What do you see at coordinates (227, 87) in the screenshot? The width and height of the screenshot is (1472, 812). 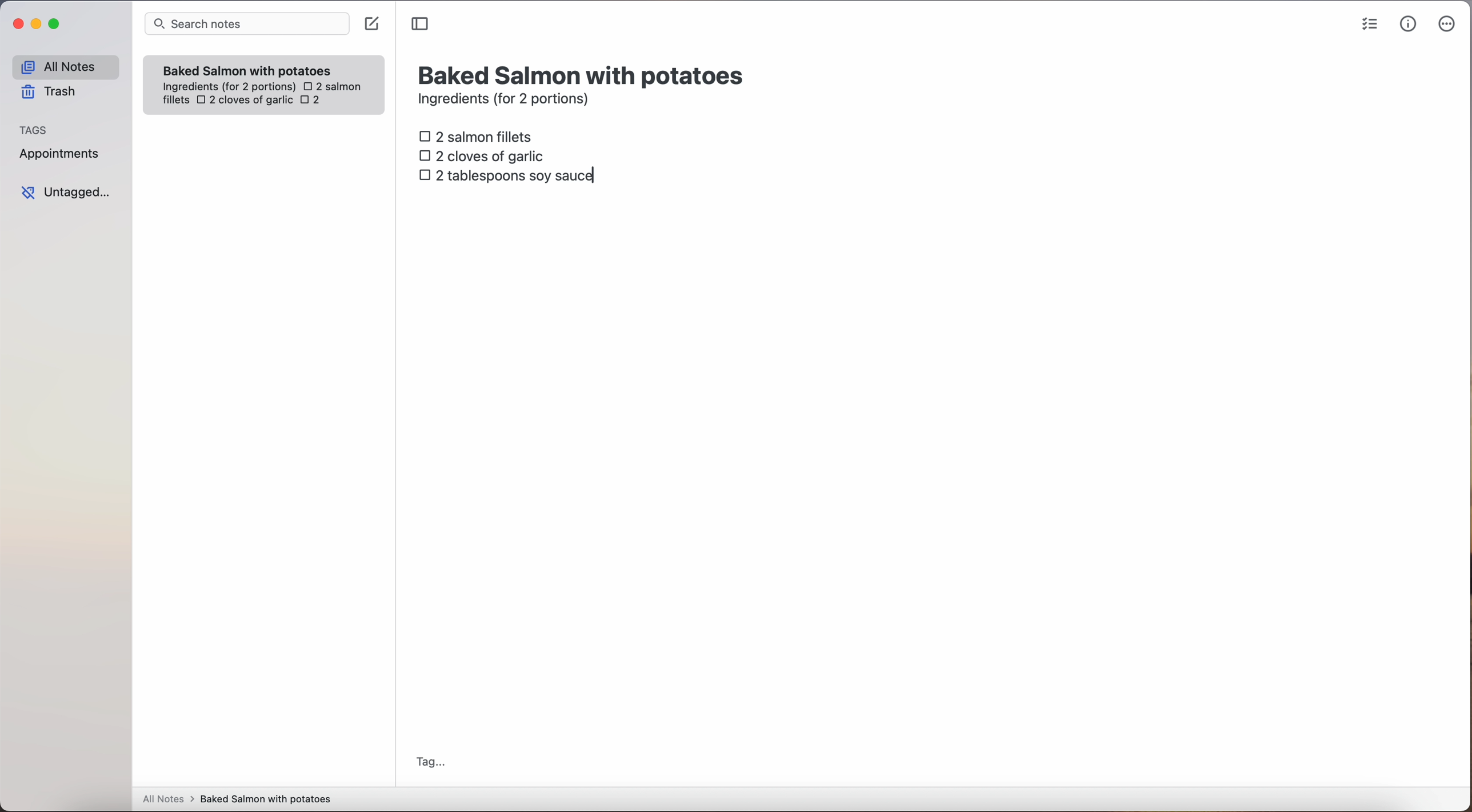 I see `ingredientes (for 2 portions)` at bounding box center [227, 87].